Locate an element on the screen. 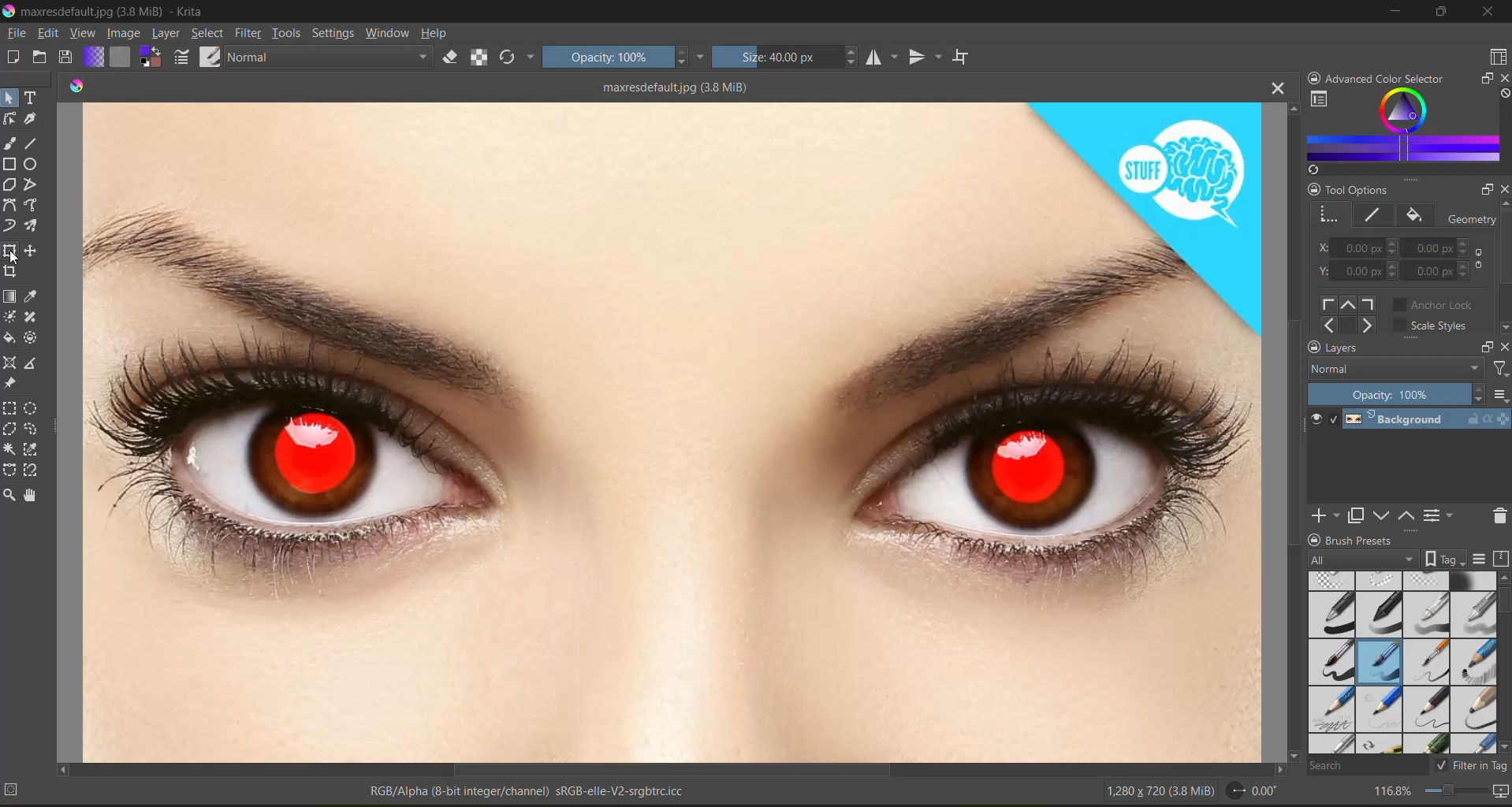  window is located at coordinates (389, 32).